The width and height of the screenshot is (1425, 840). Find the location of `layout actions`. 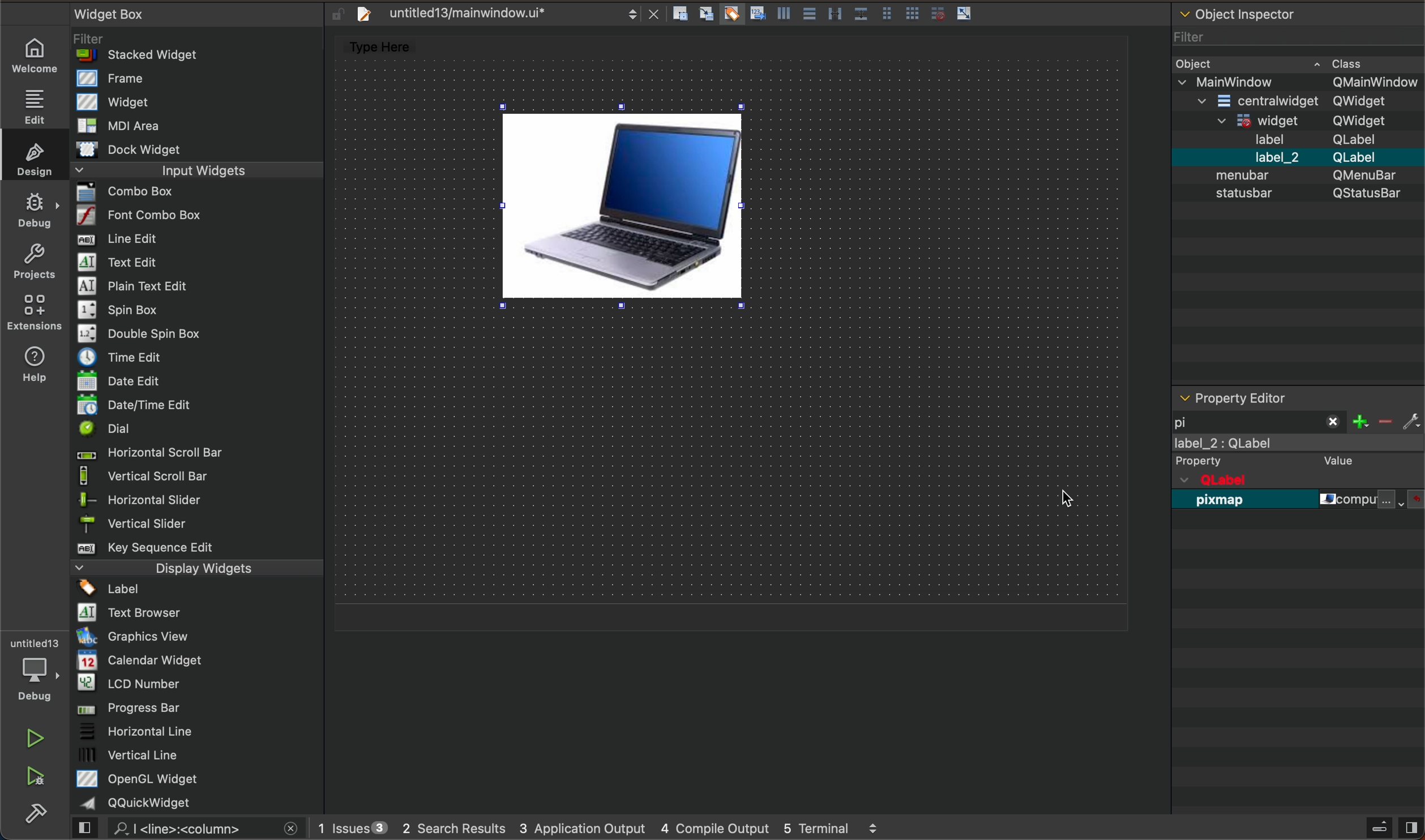

layout actions is located at coordinates (828, 16).